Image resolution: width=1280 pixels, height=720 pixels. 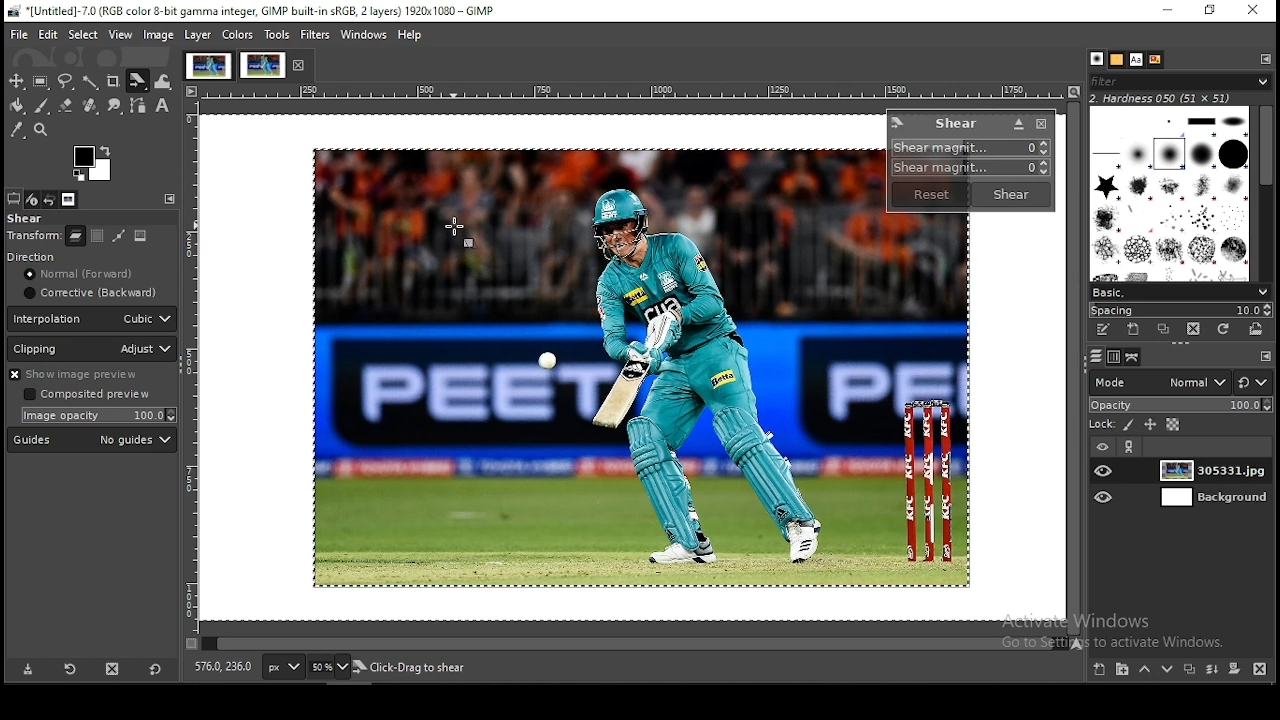 What do you see at coordinates (1184, 310) in the screenshot?
I see `spacing` at bounding box center [1184, 310].